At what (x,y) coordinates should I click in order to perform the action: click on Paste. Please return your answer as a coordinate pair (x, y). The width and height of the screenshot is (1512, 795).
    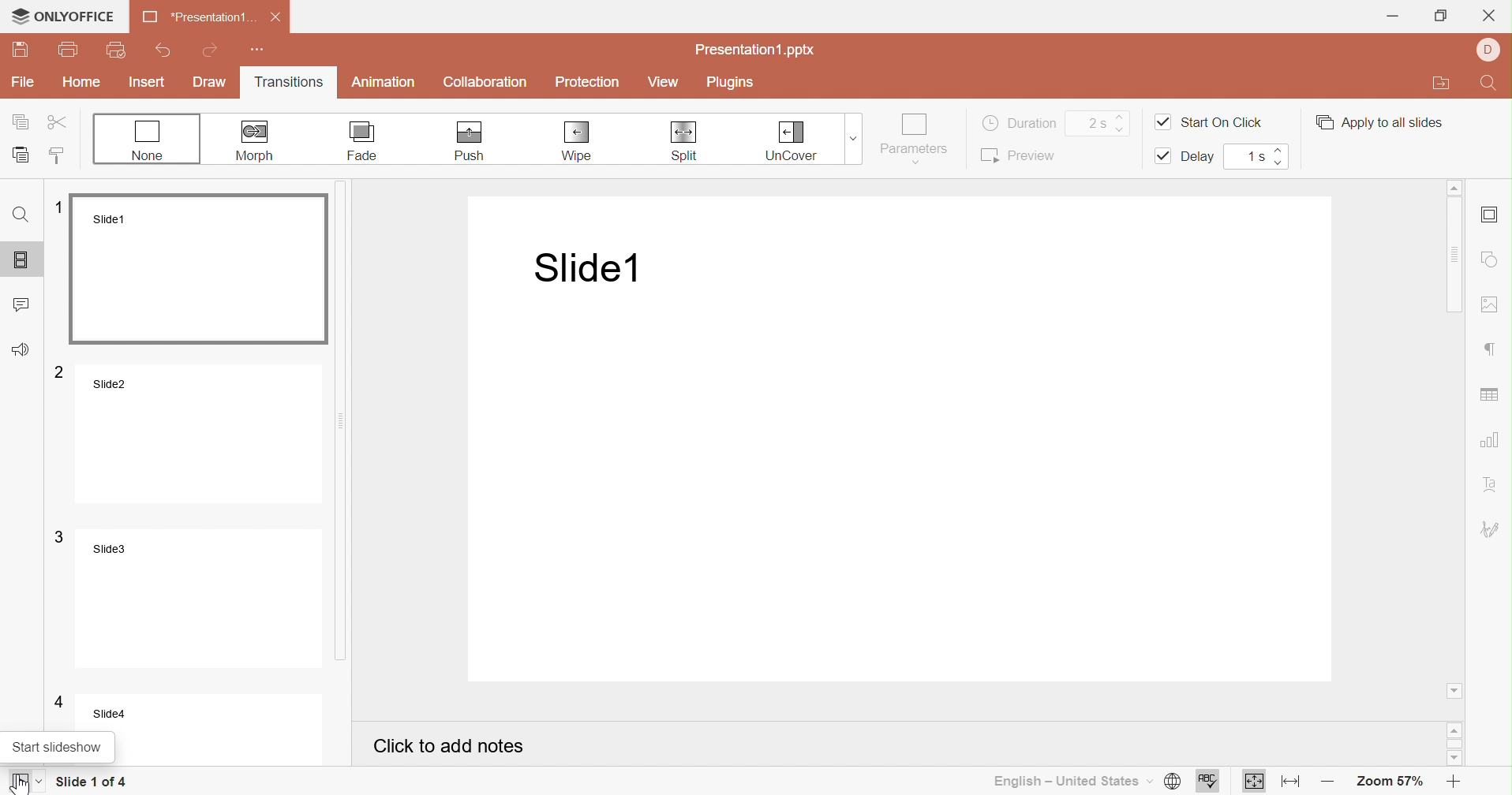
    Looking at the image, I should click on (23, 155).